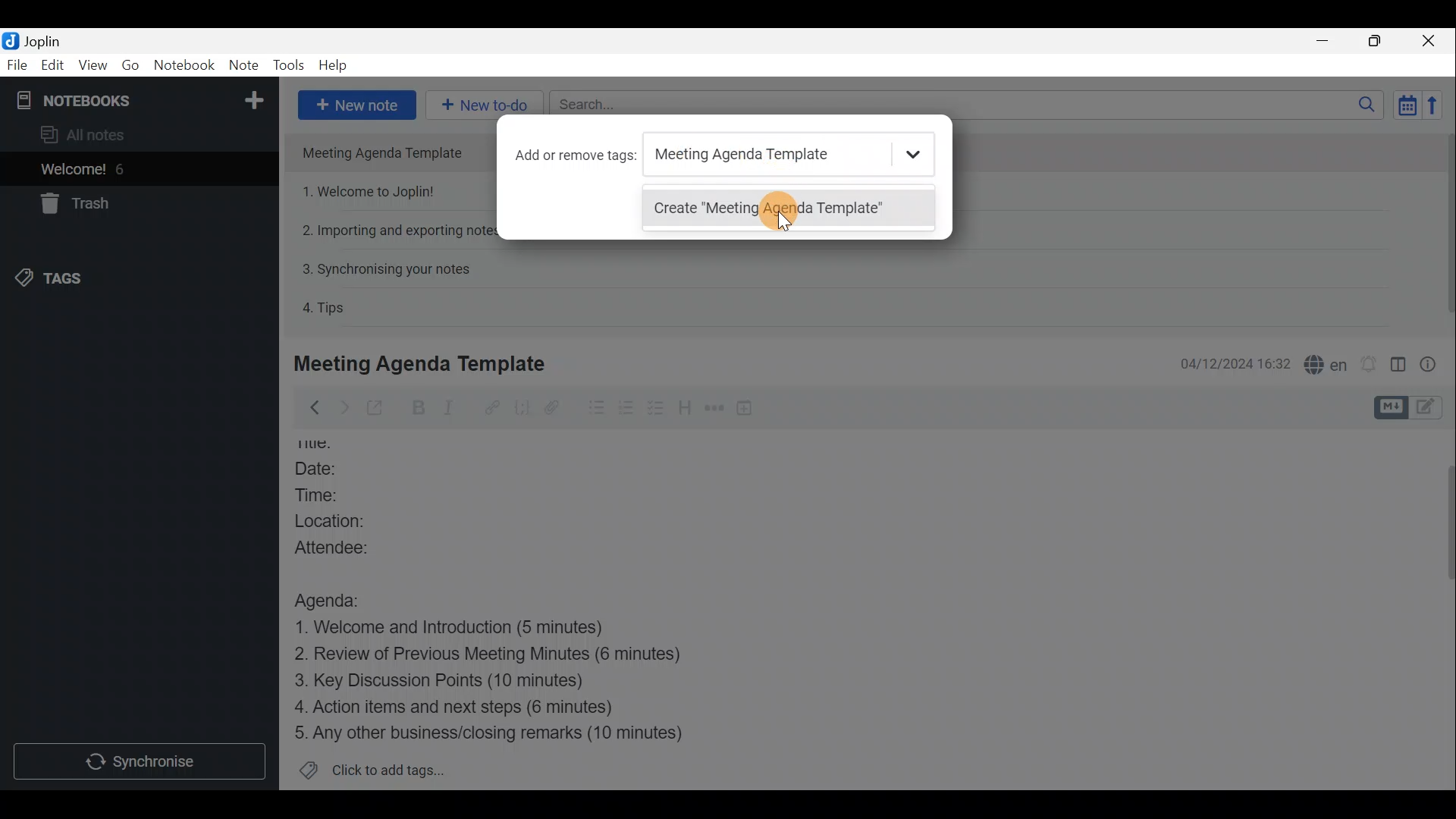 Image resolution: width=1456 pixels, height=819 pixels. What do you see at coordinates (140, 760) in the screenshot?
I see `Synchronise` at bounding box center [140, 760].